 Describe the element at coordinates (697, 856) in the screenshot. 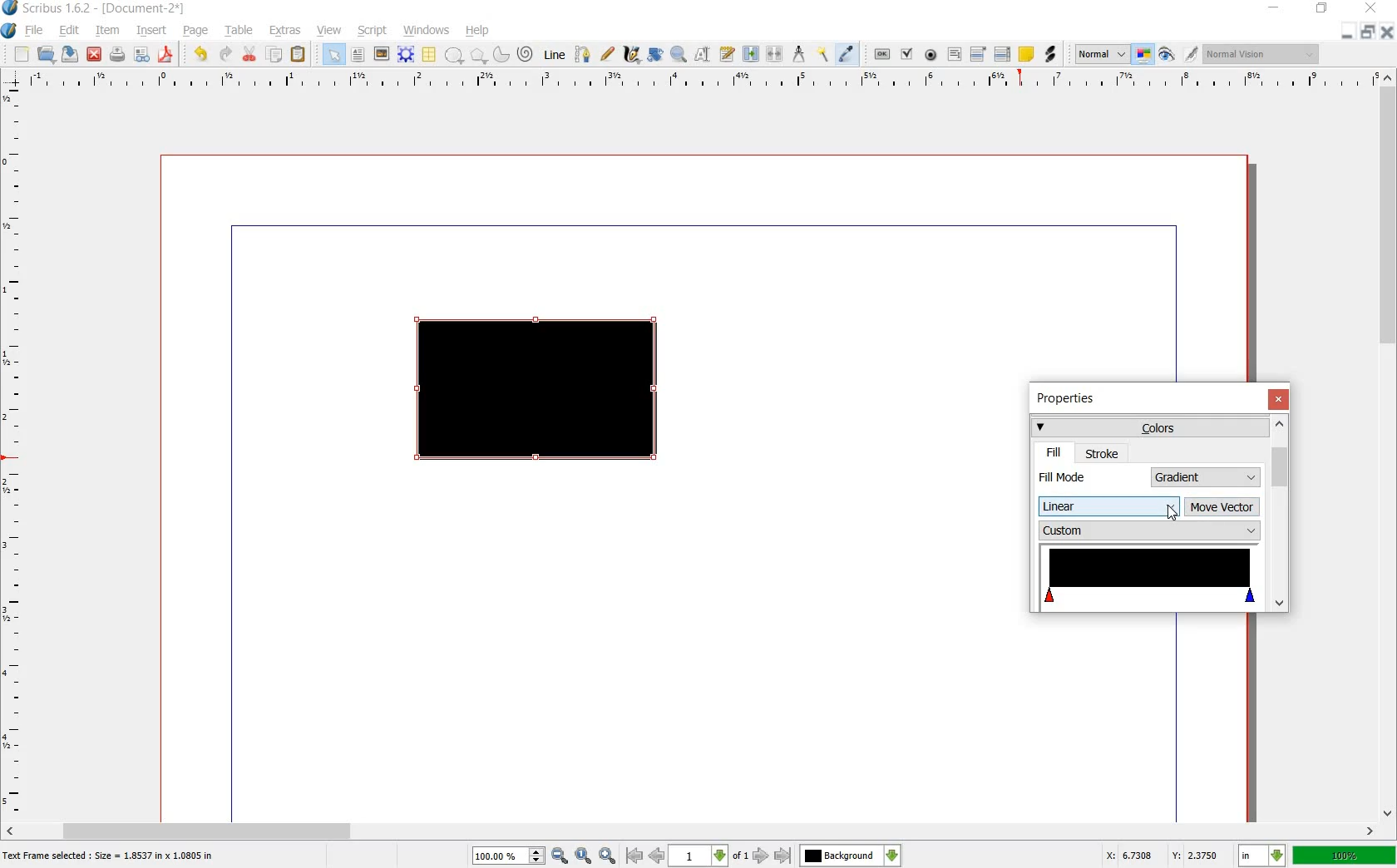

I see `1` at that location.